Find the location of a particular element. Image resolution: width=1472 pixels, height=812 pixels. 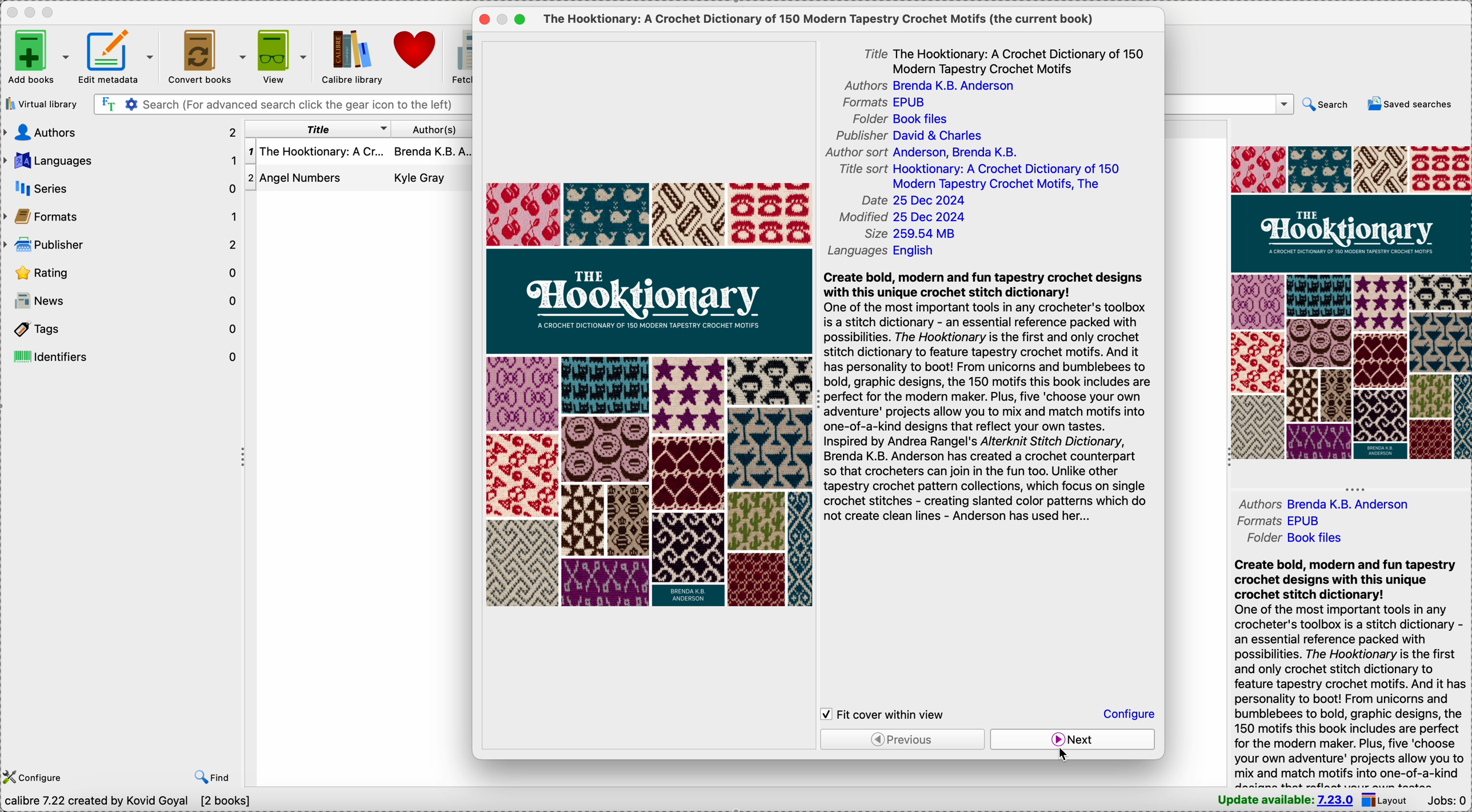

click on next is located at coordinates (1074, 739).